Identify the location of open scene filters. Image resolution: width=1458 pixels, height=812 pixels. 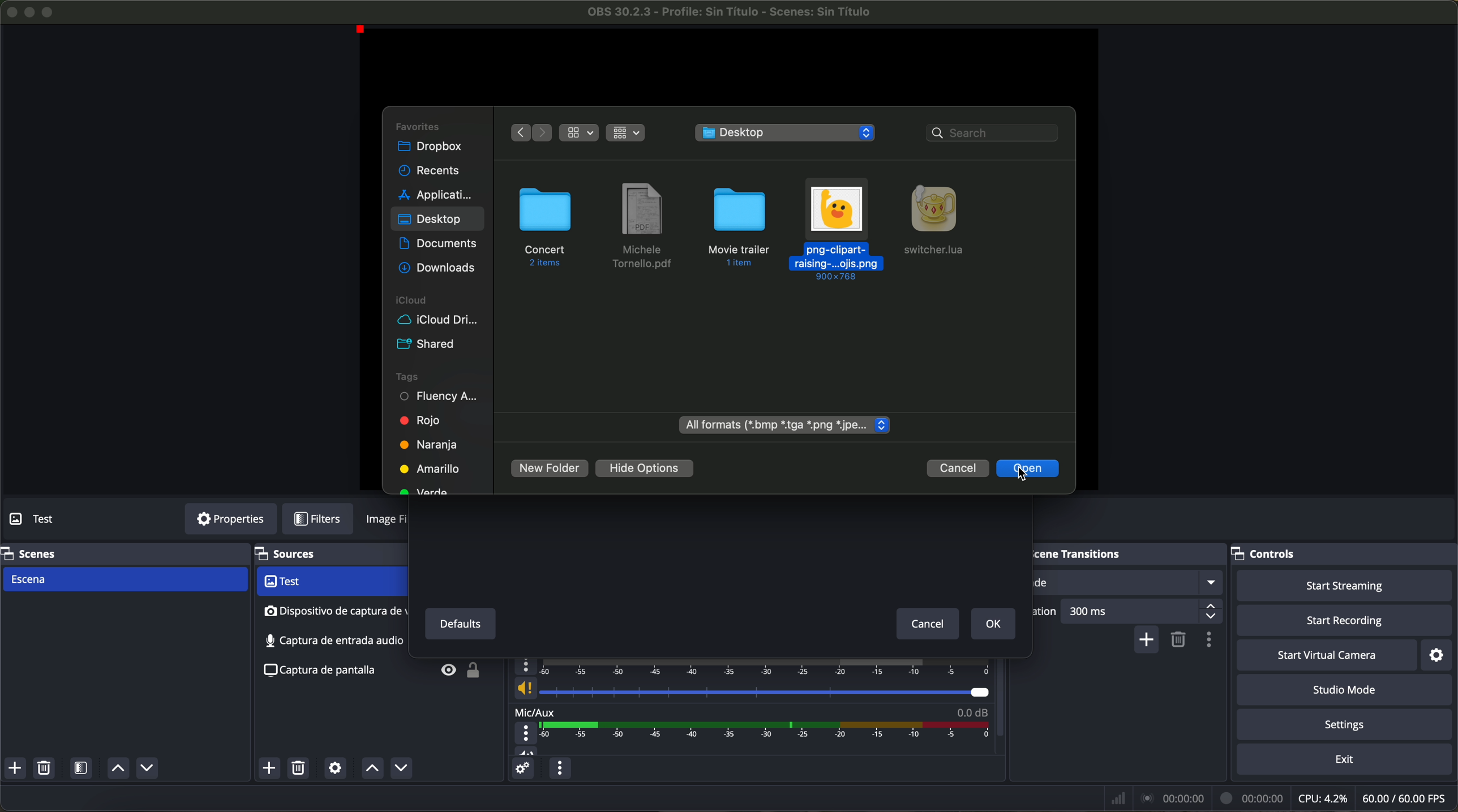
(83, 769).